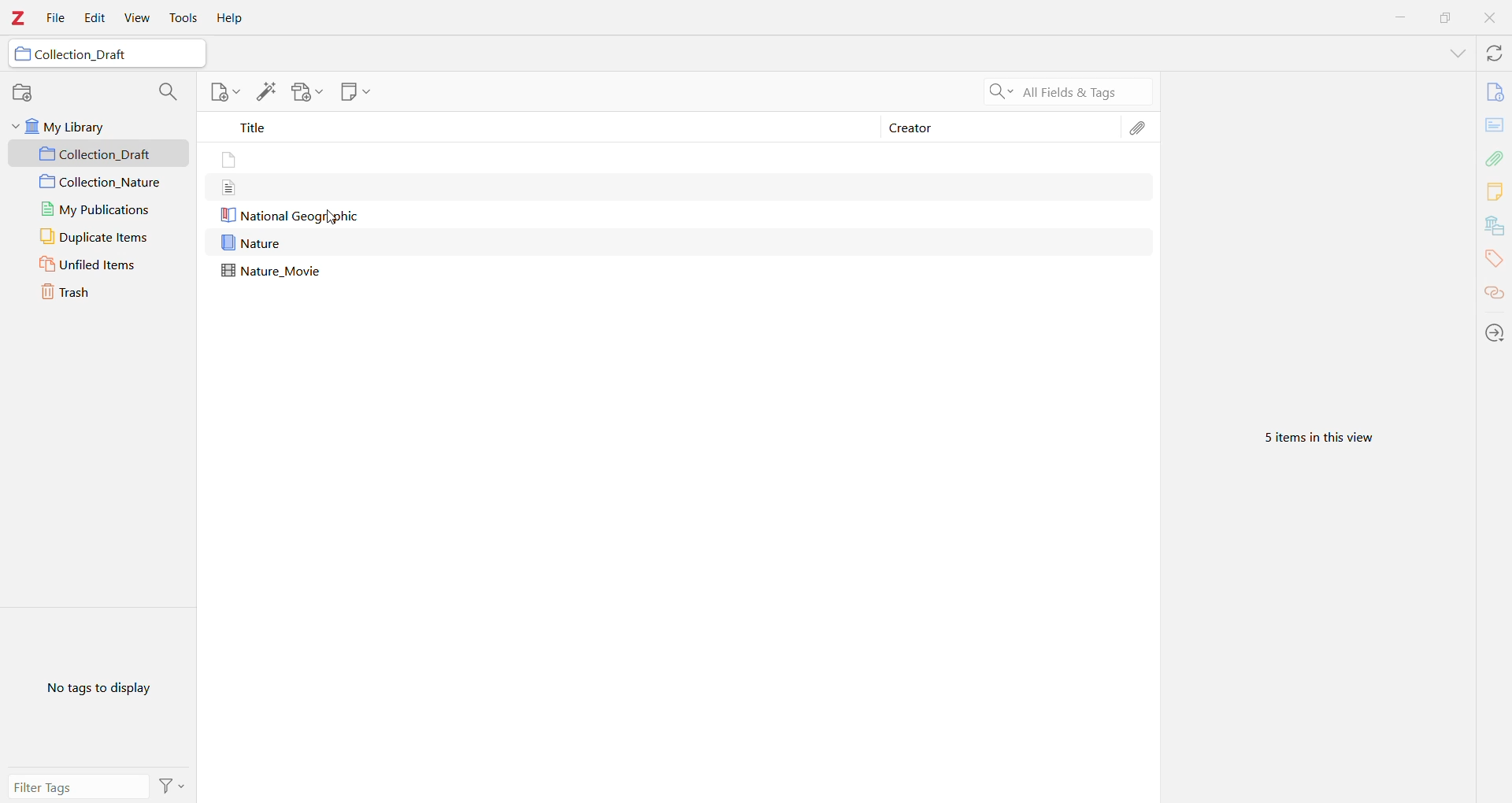 Image resolution: width=1512 pixels, height=803 pixels. What do you see at coordinates (99, 183) in the screenshot?
I see `Collection_Nature` at bounding box center [99, 183].